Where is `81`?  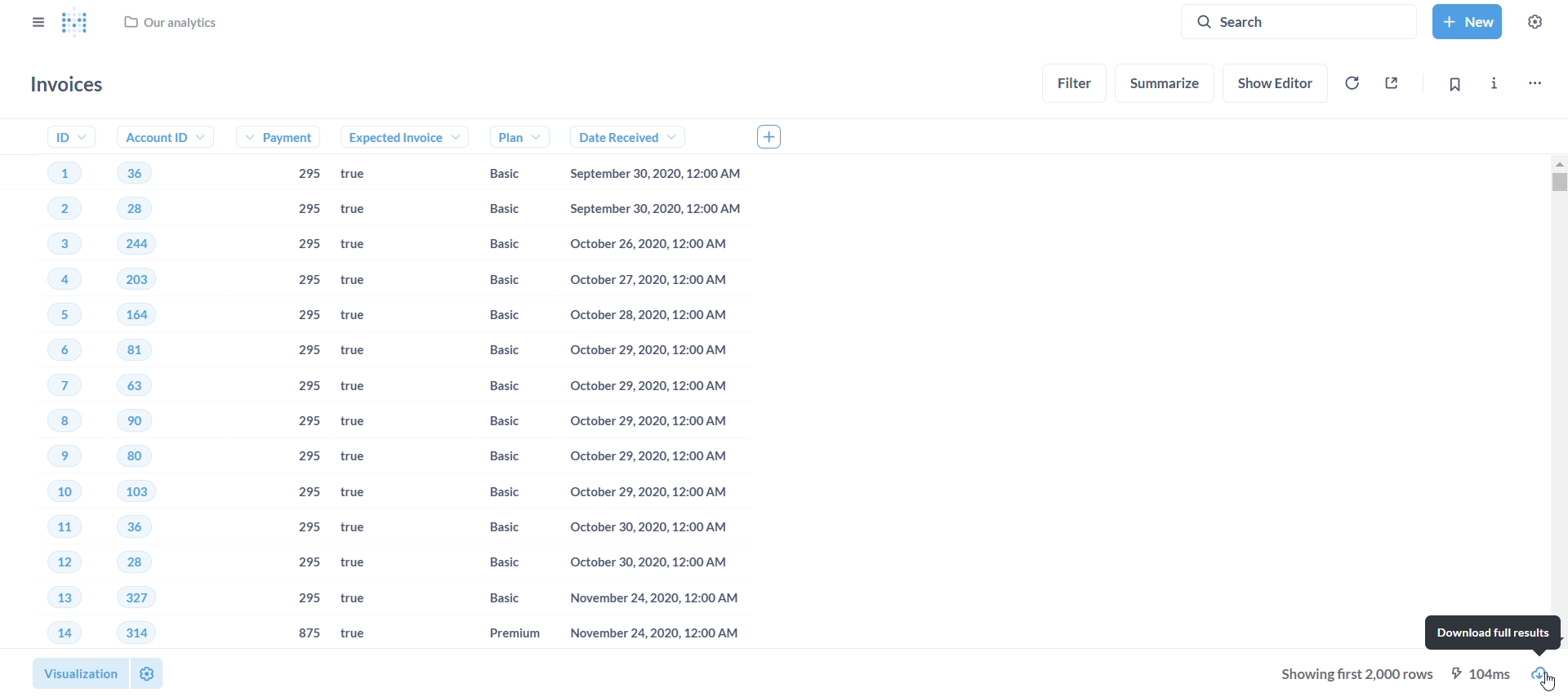
81 is located at coordinates (140, 350).